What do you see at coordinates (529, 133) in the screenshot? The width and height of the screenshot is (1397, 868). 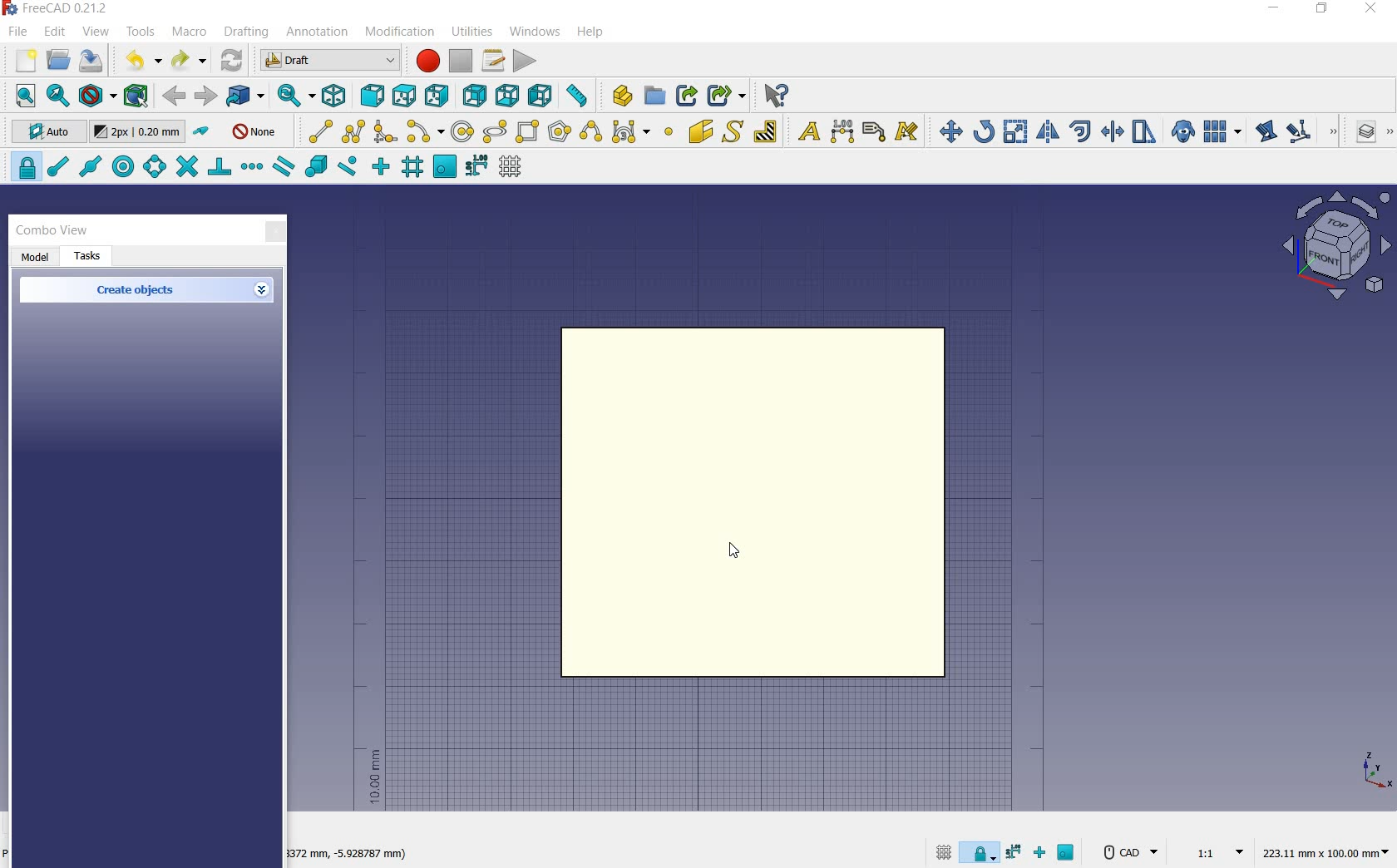 I see `rectangle` at bounding box center [529, 133].